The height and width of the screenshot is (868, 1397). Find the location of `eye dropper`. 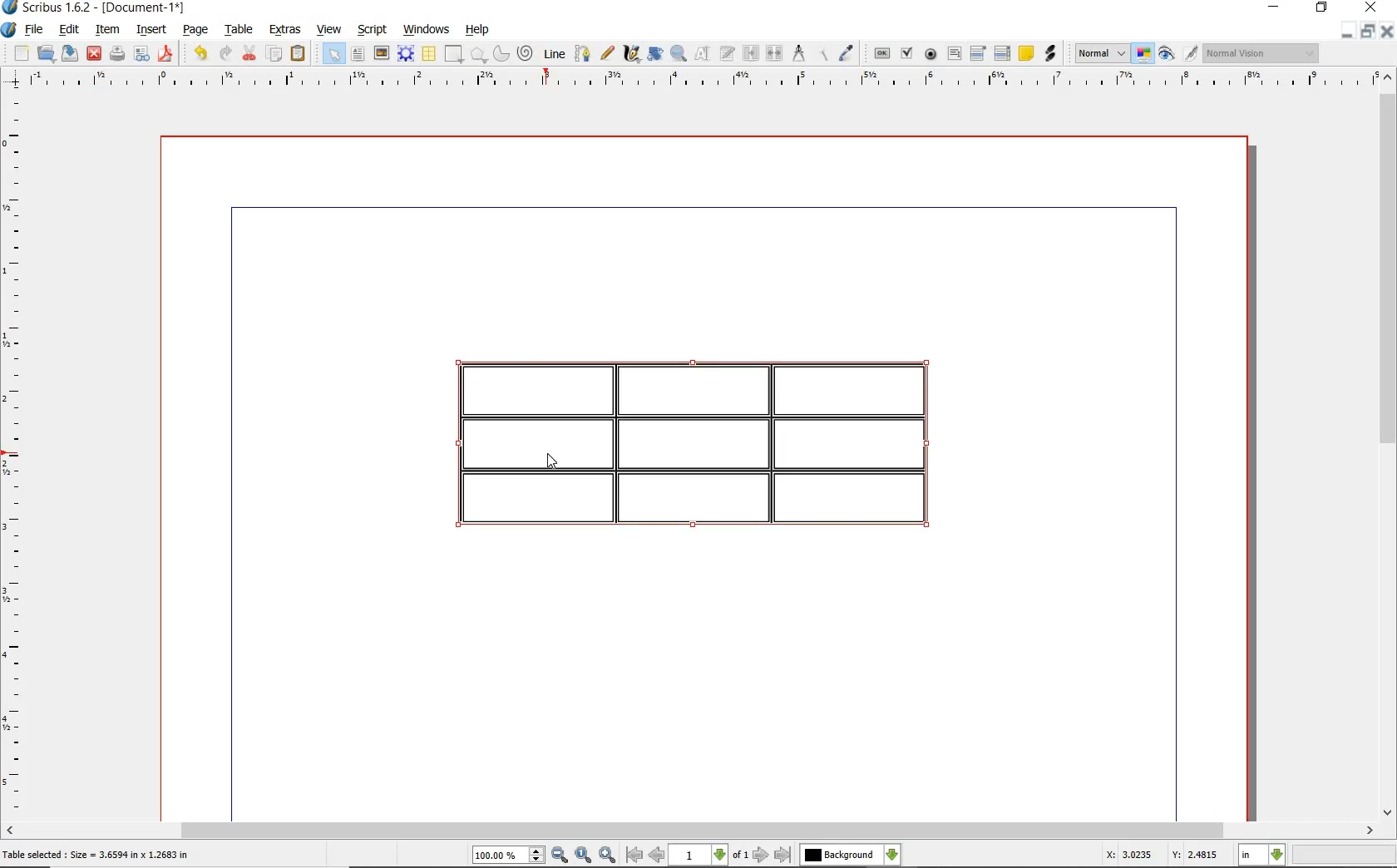

eye dropper is located at coordinates (847, 55).